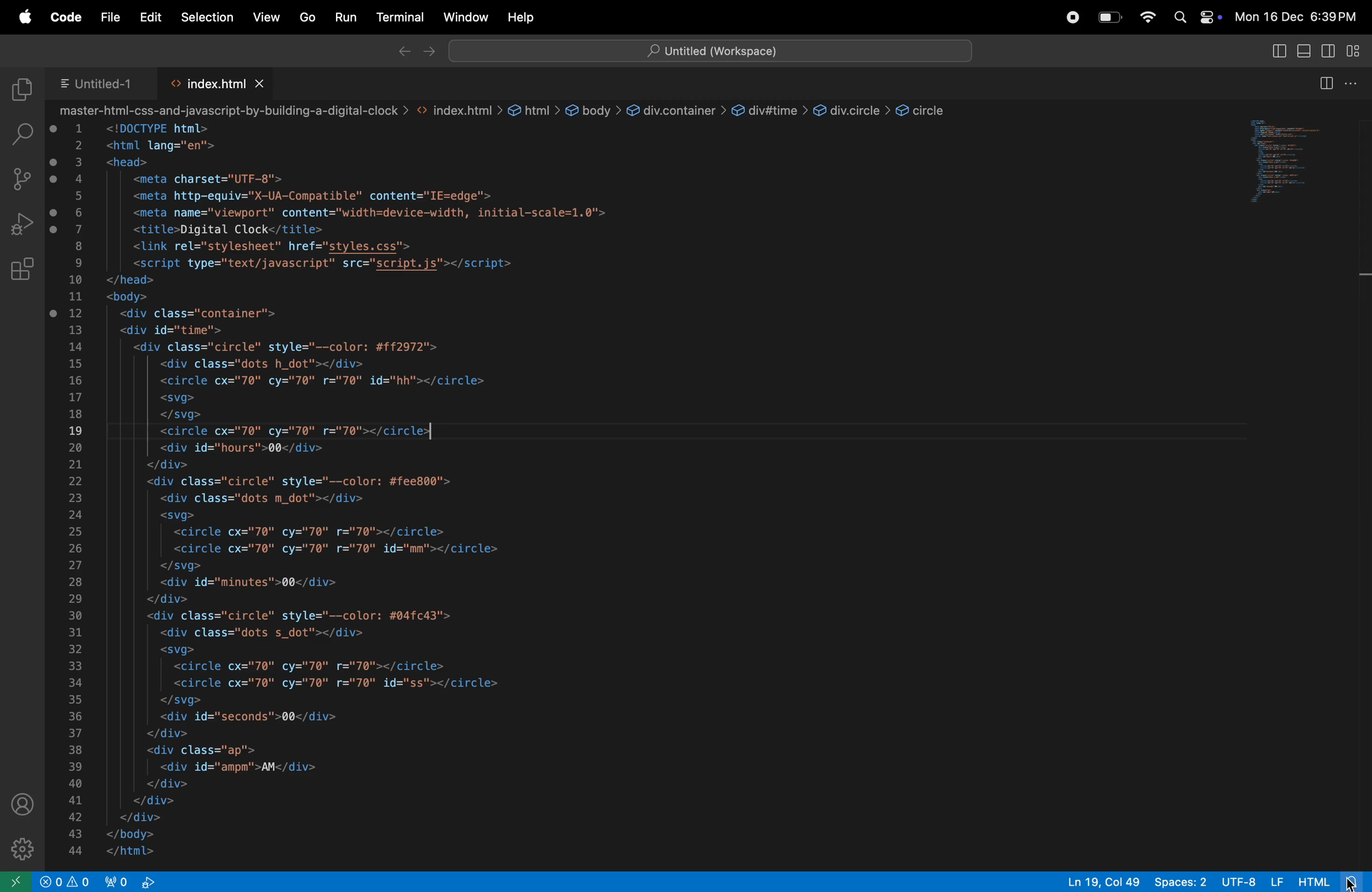 Image resolution: width=1372 pixels, height=892 pixels. Describe the element at coordinates (710, 50) in the screenshot. I see `workspace` at that location.